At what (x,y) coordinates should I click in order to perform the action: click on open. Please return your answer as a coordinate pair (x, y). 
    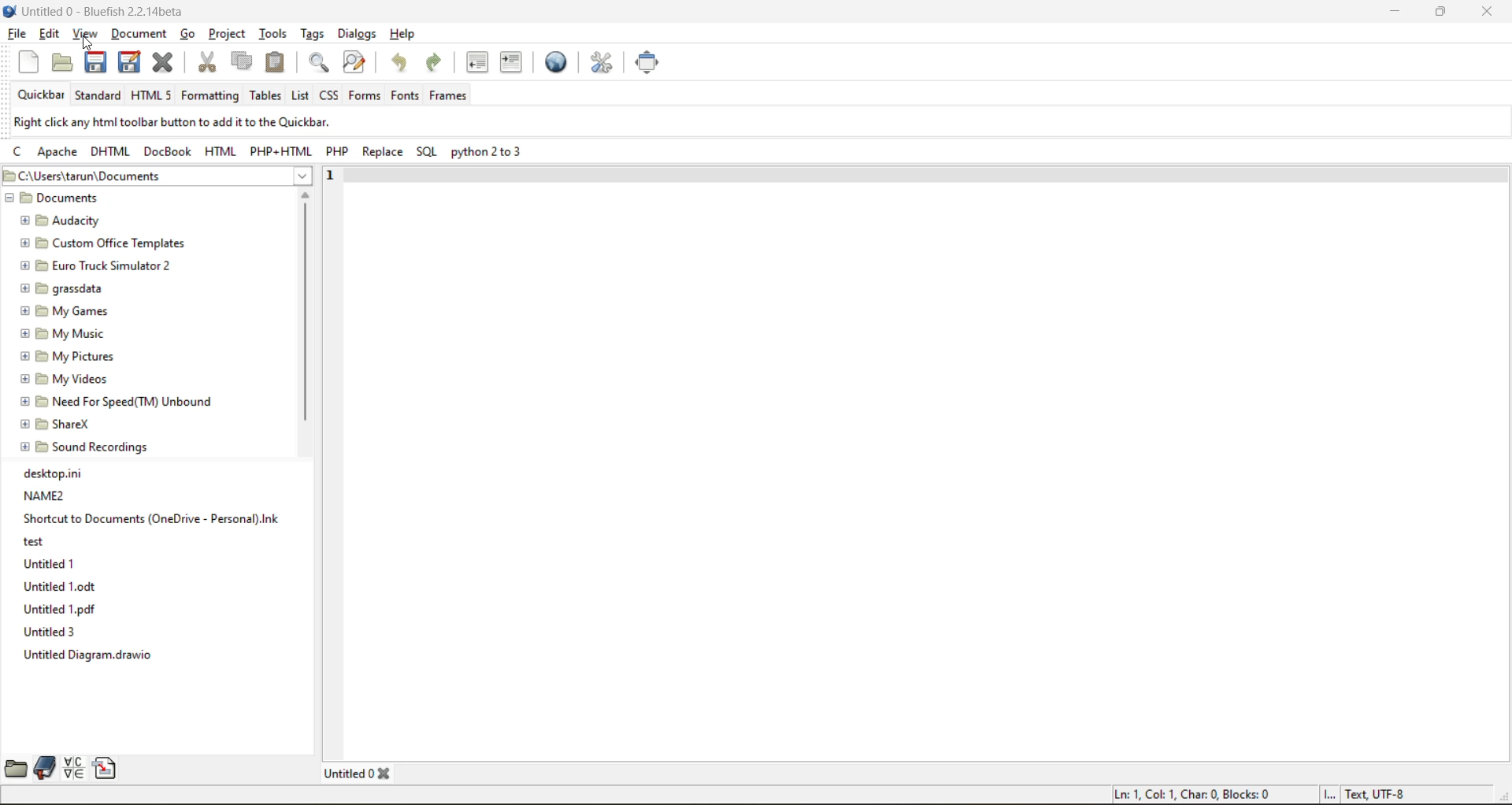
    Looking at the image, I should click on (61, 65).